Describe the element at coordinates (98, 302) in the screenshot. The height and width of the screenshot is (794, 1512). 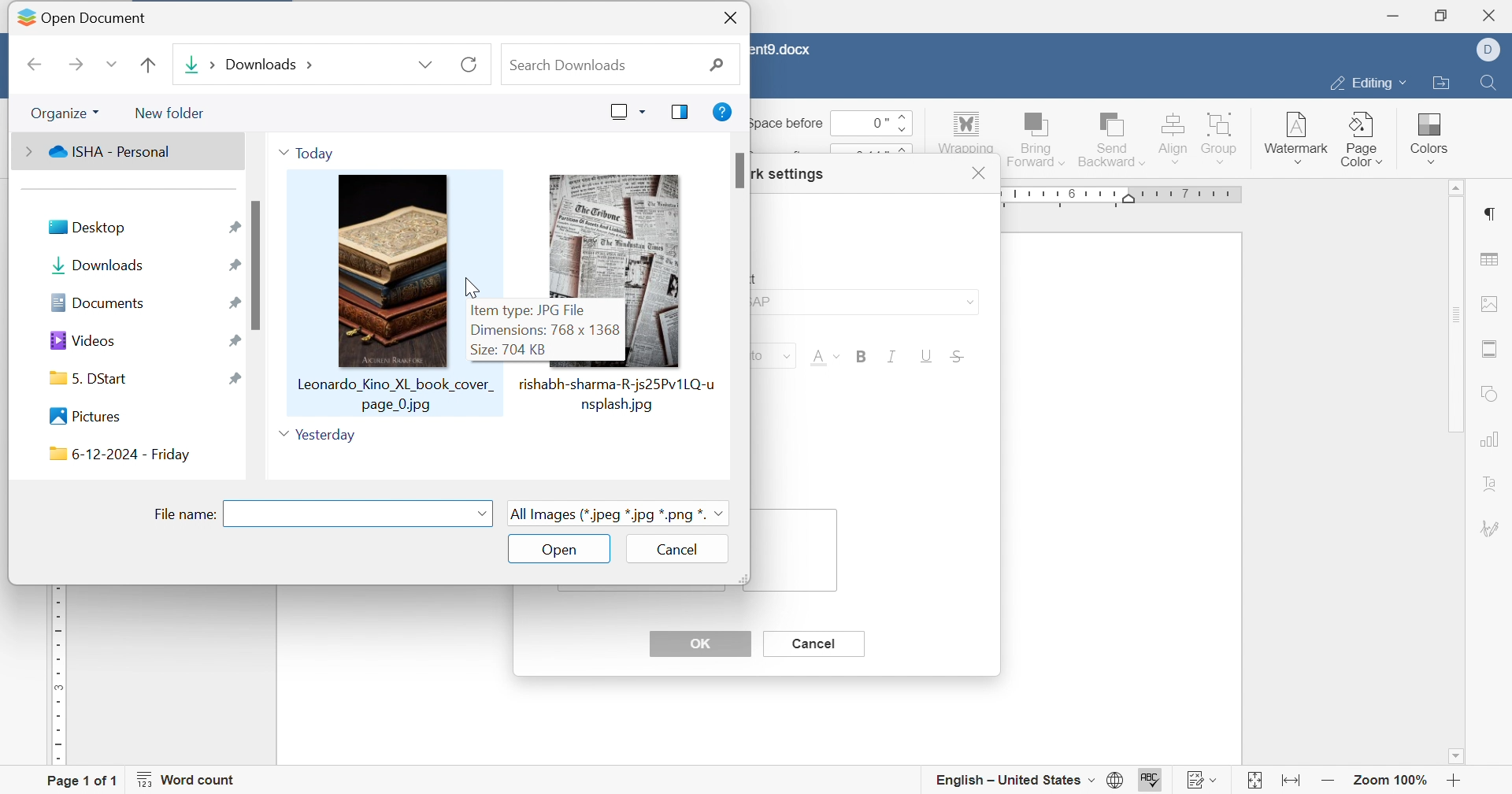
I see `documents` at that location.